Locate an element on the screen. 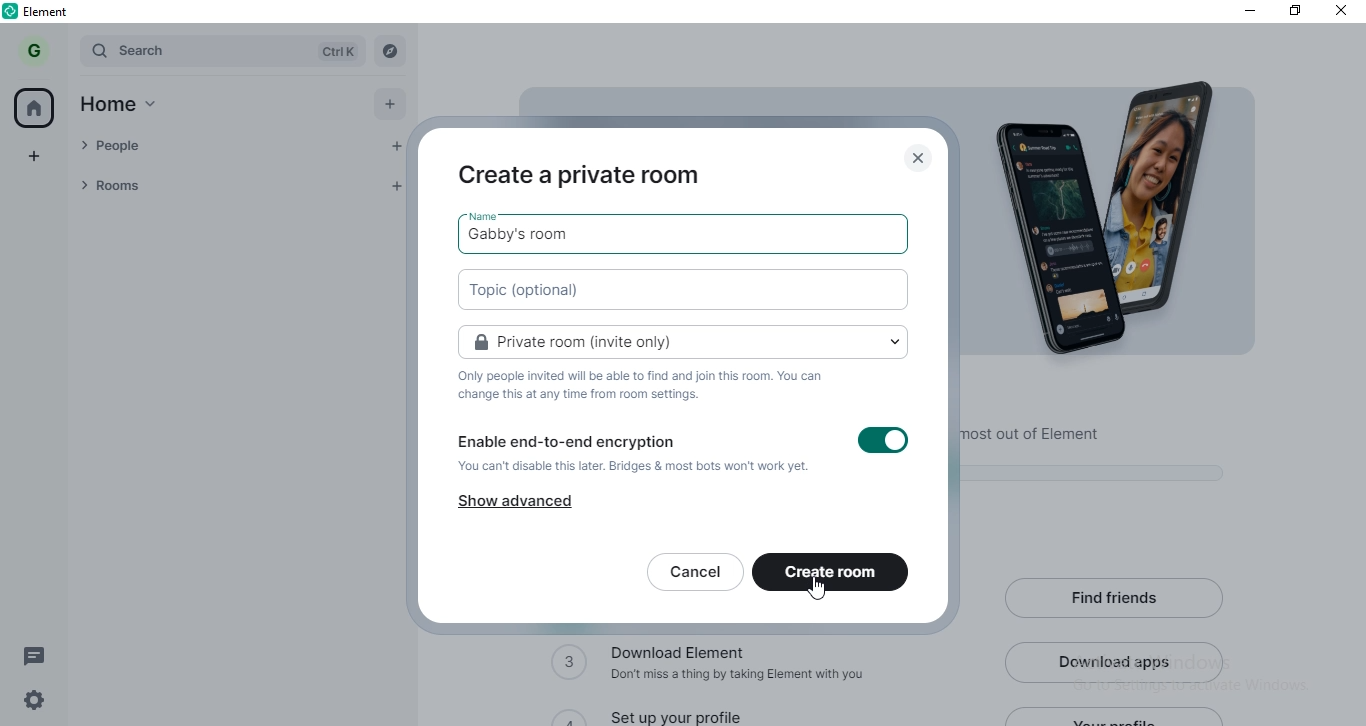  Explore rooms is located at coordinates (391, 49).